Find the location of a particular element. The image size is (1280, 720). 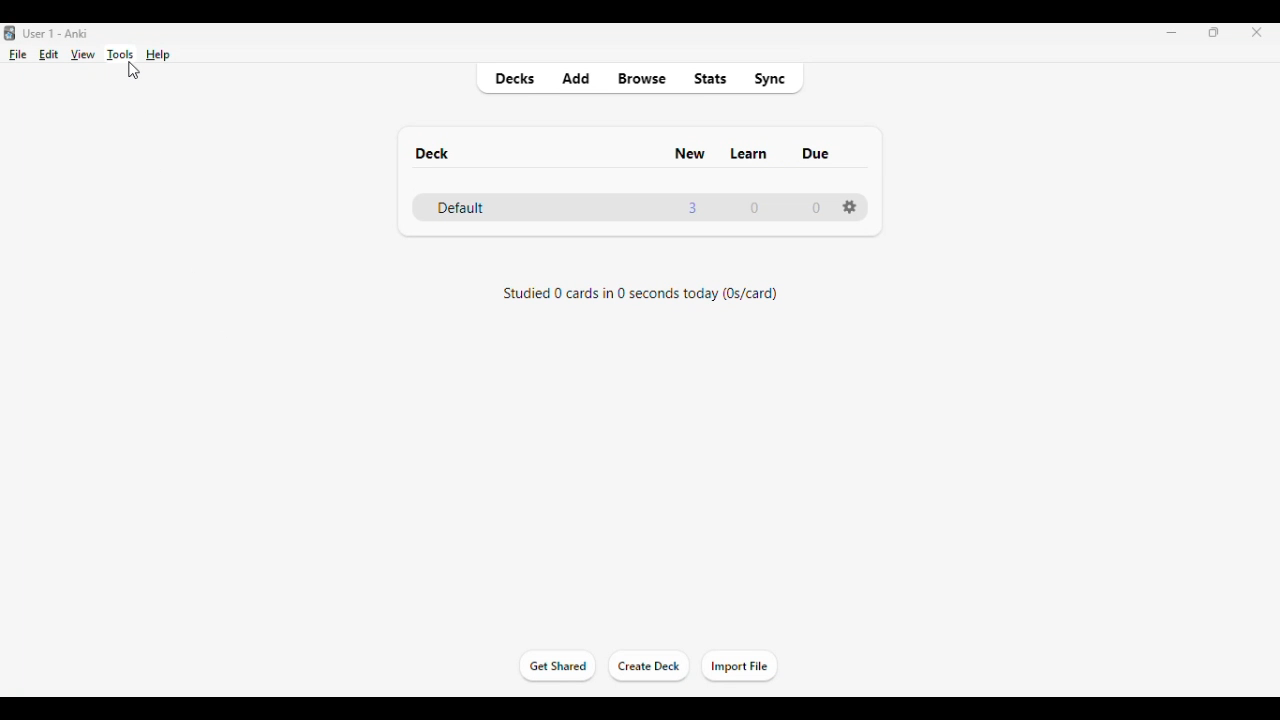

add is located at coordinates (576, 78).